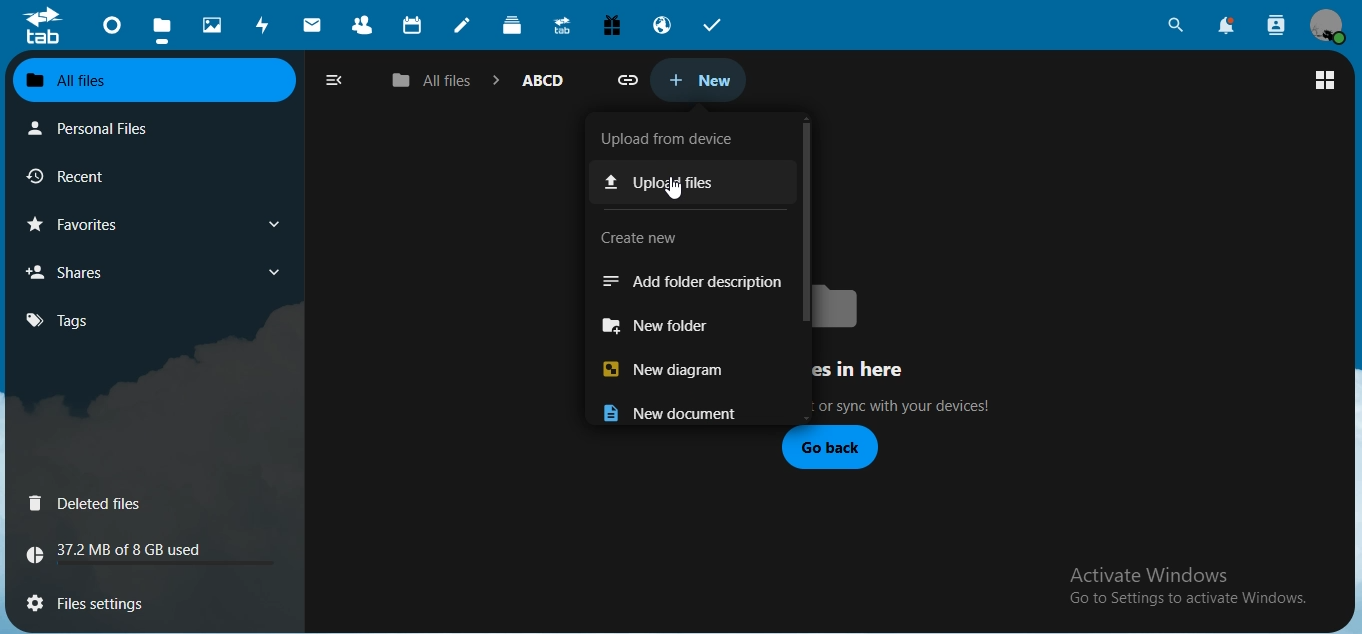  I want to click on view profile, so click(1327, 26).